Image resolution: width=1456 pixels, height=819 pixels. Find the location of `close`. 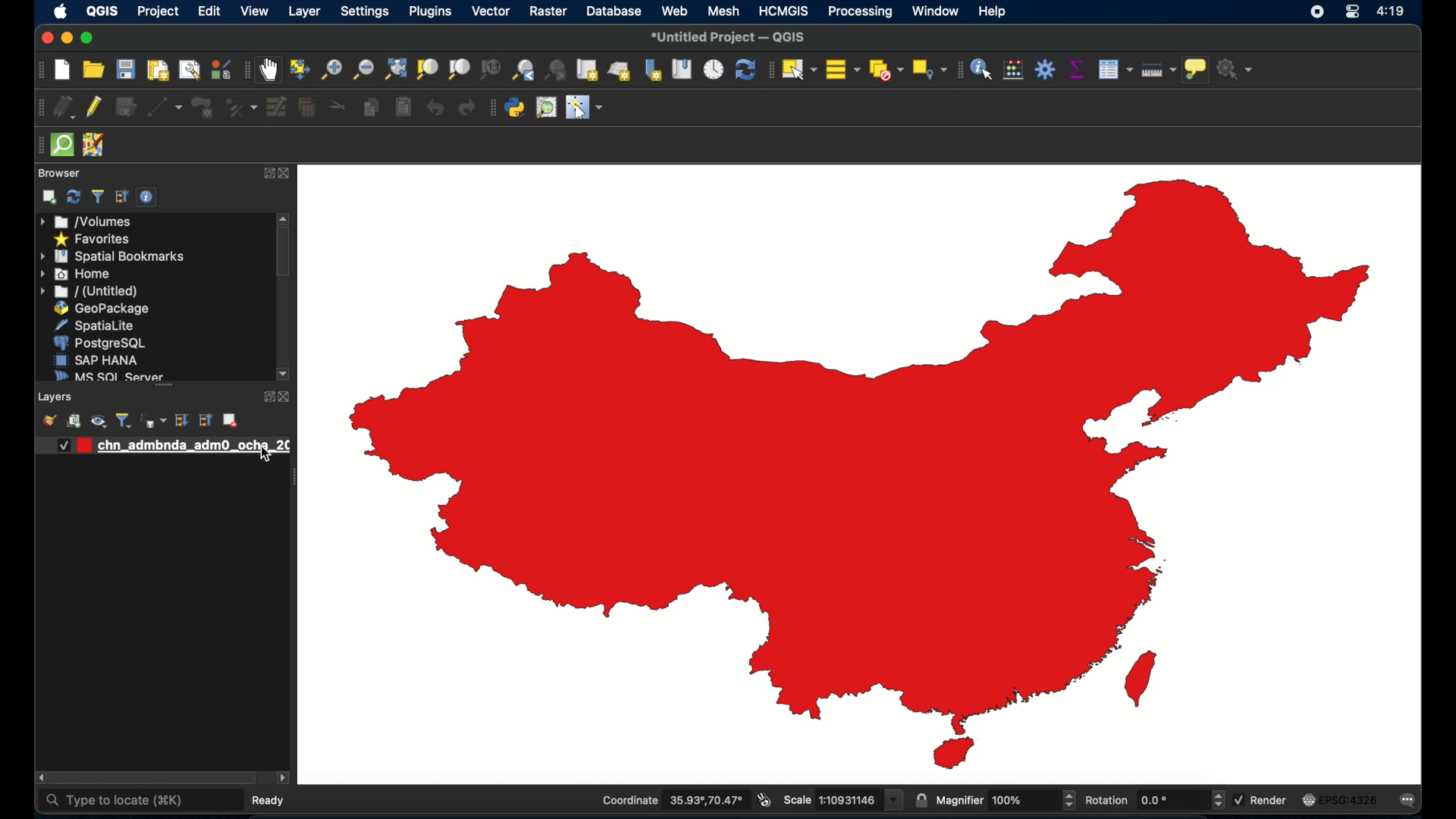

close is located at coordinates (45, 40).